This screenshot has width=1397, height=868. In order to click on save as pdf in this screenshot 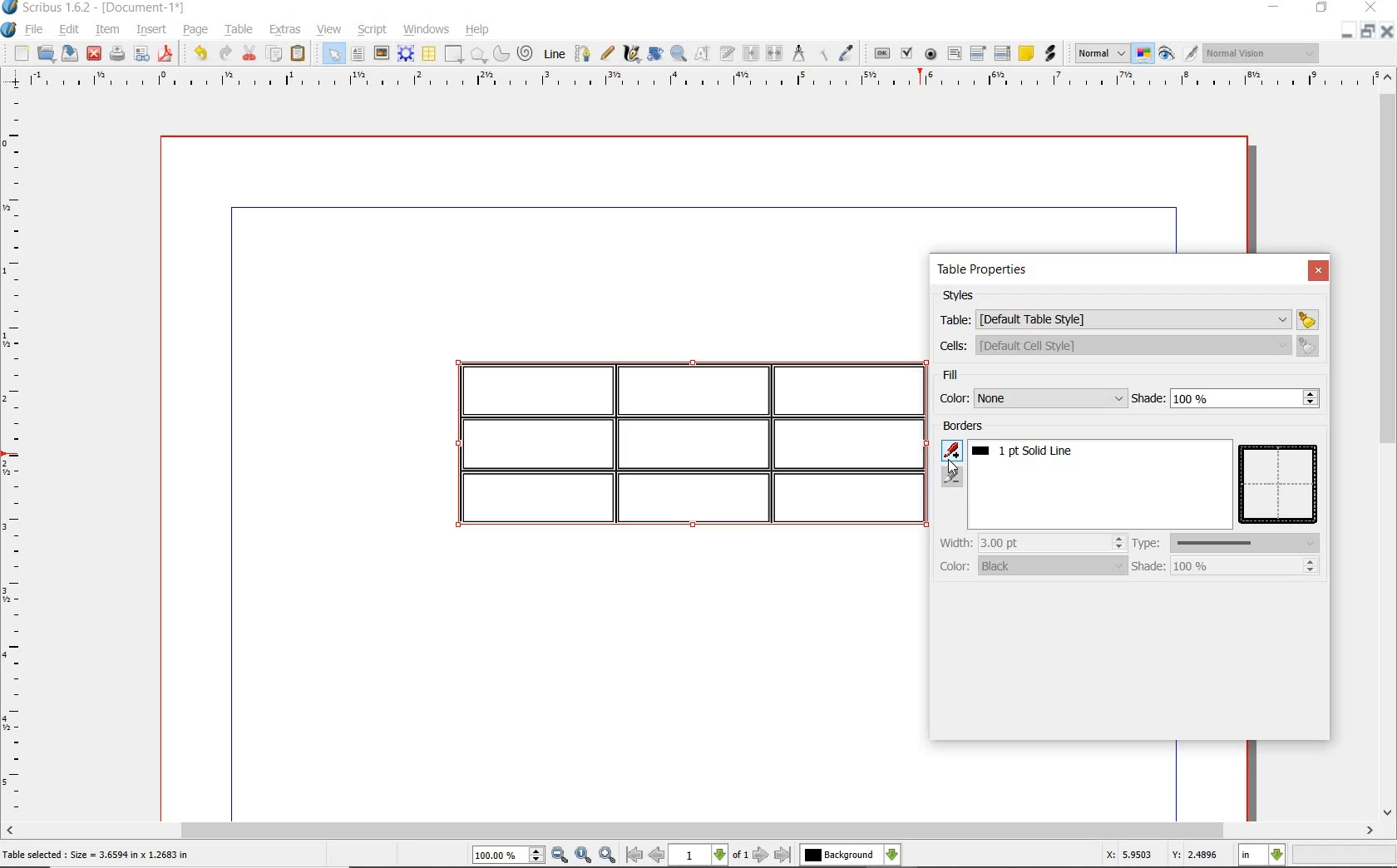, I will do `click(167, 55)`.